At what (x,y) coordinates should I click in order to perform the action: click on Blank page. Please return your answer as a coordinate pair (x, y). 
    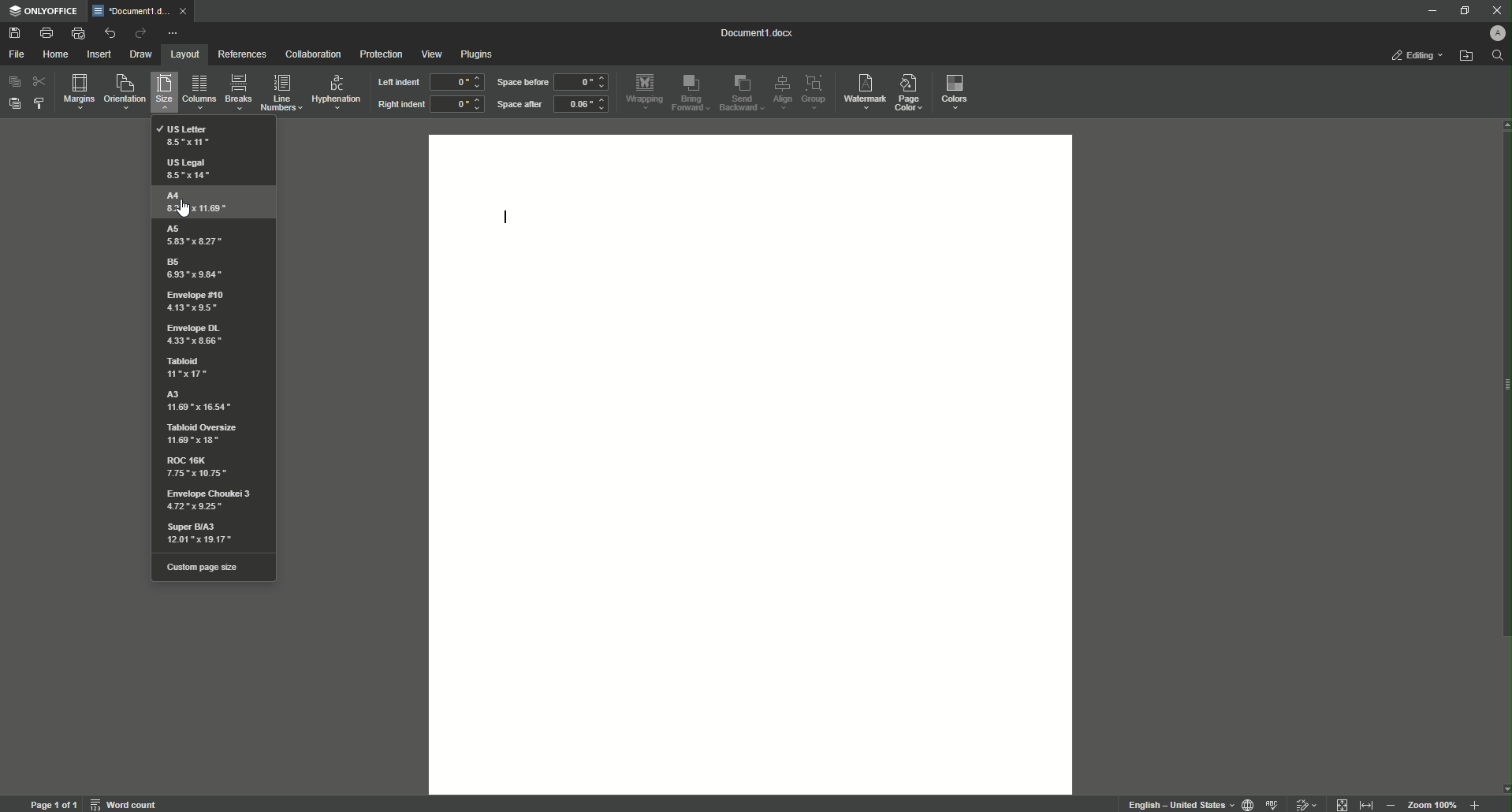
    Looking at the image, I should click on (753, 463).